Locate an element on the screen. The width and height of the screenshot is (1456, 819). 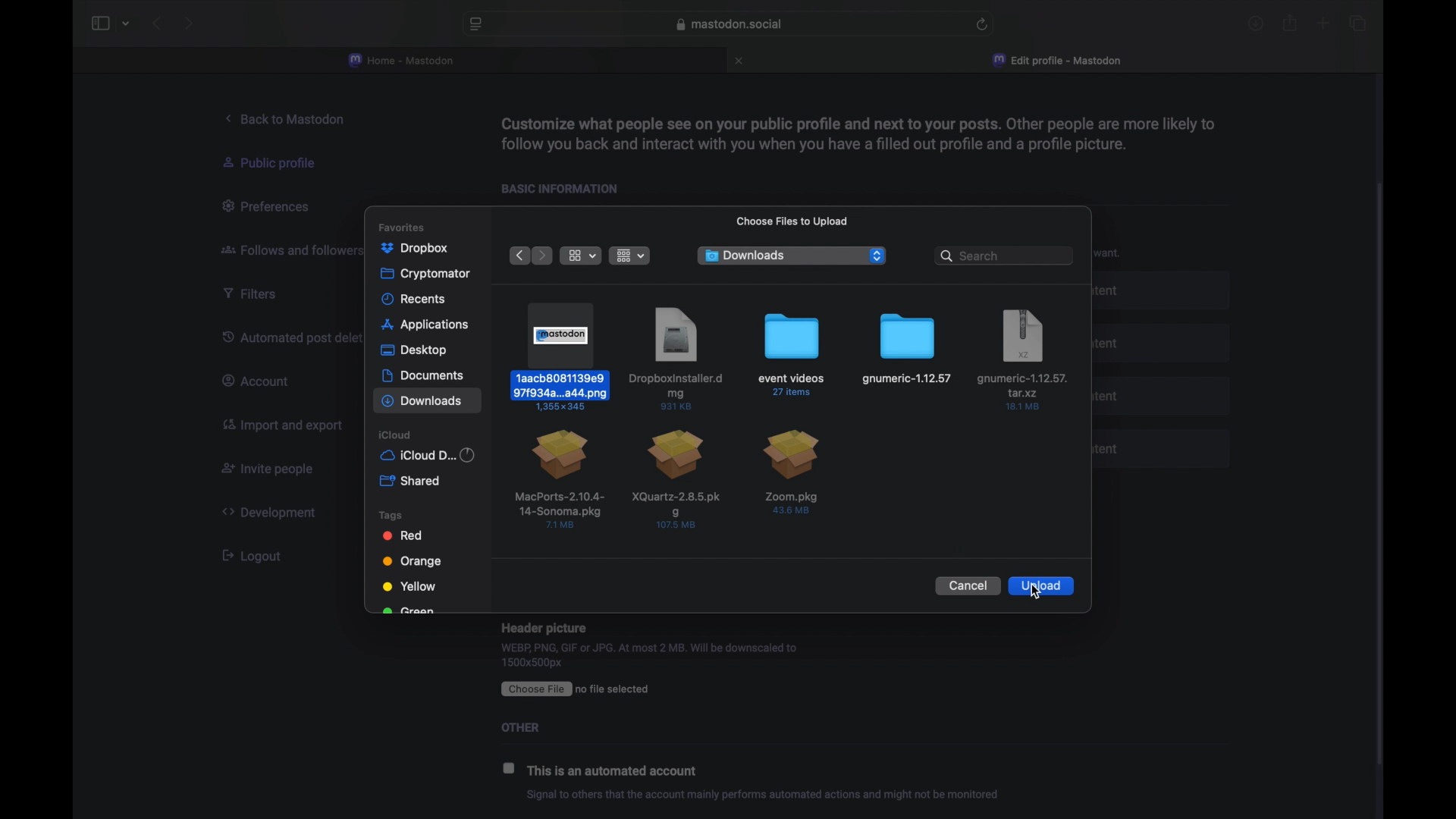
checkbox is located at coordinates (510, 767).